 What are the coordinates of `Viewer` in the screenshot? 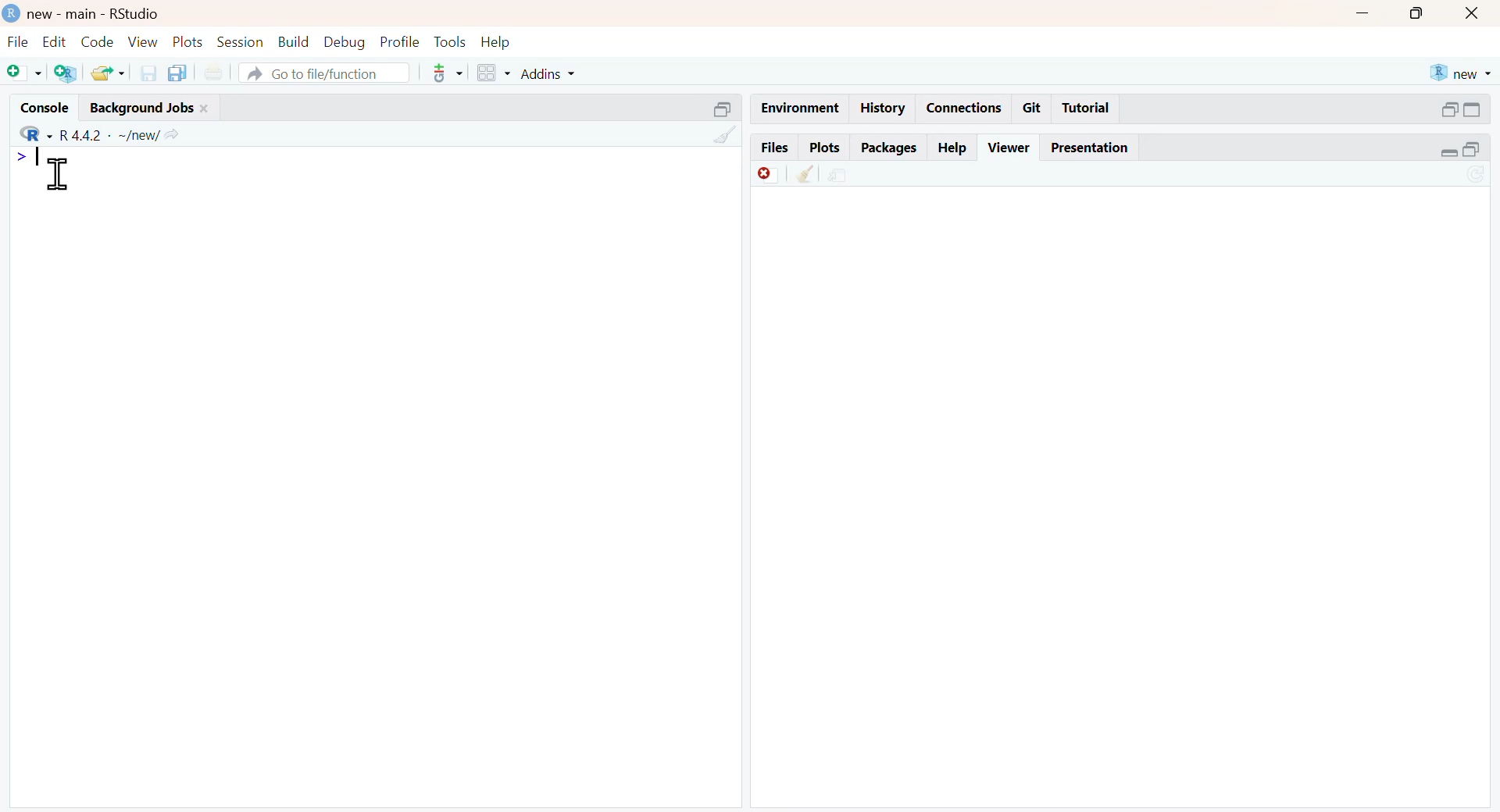 It's located at (1011, 146).